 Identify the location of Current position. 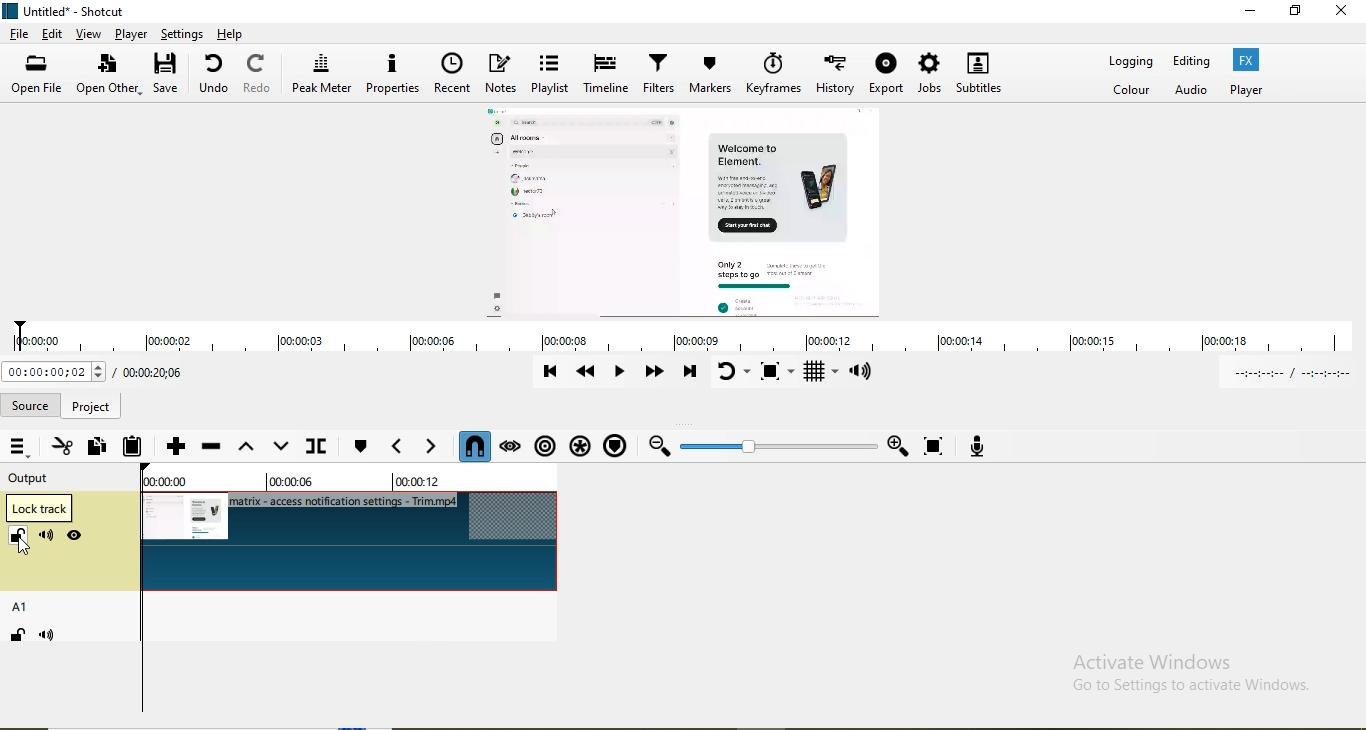
(55, 374).